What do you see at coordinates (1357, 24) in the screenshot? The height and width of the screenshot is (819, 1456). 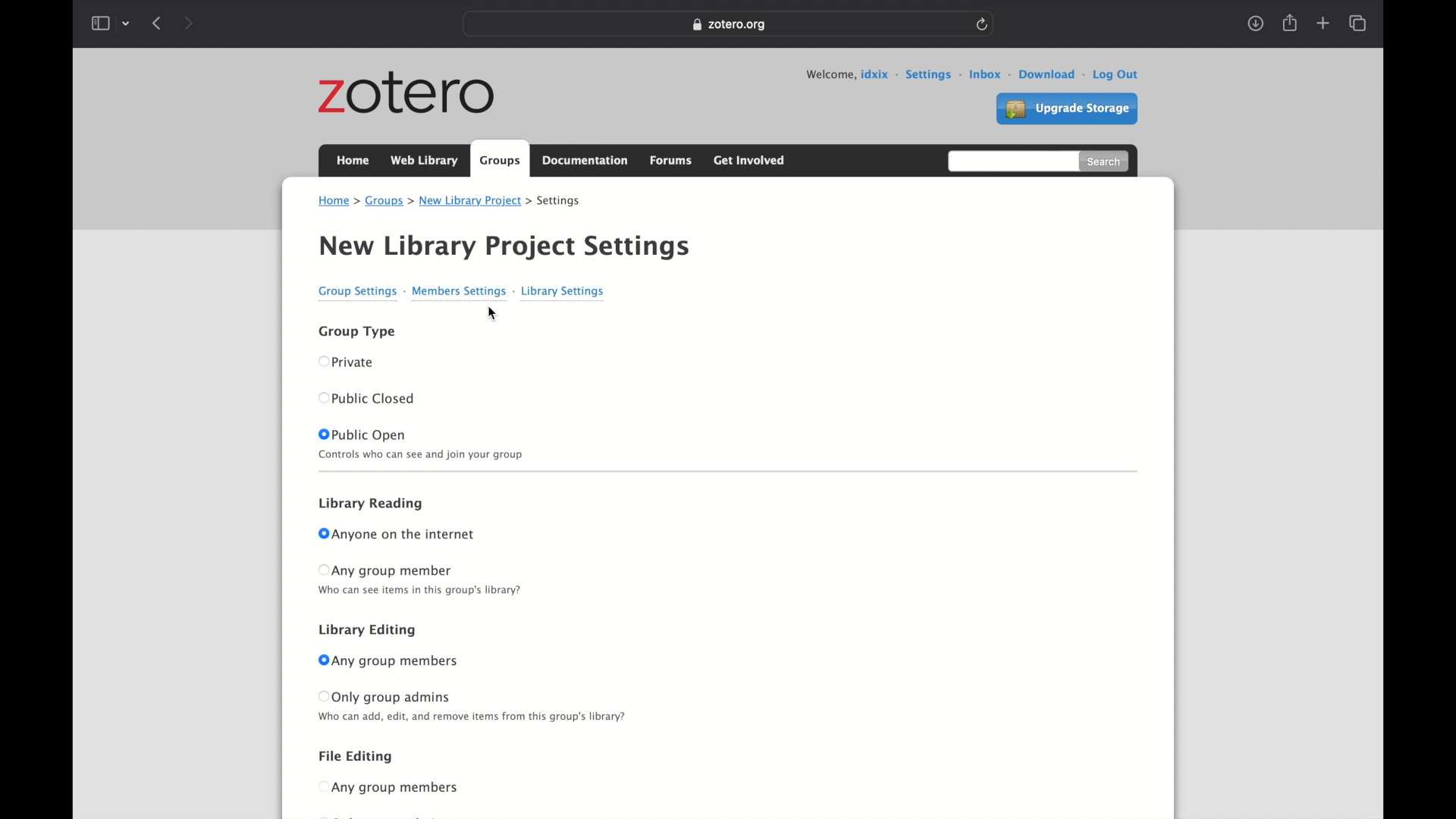 I see `show tab overview` at bounding box center [1357, 24].